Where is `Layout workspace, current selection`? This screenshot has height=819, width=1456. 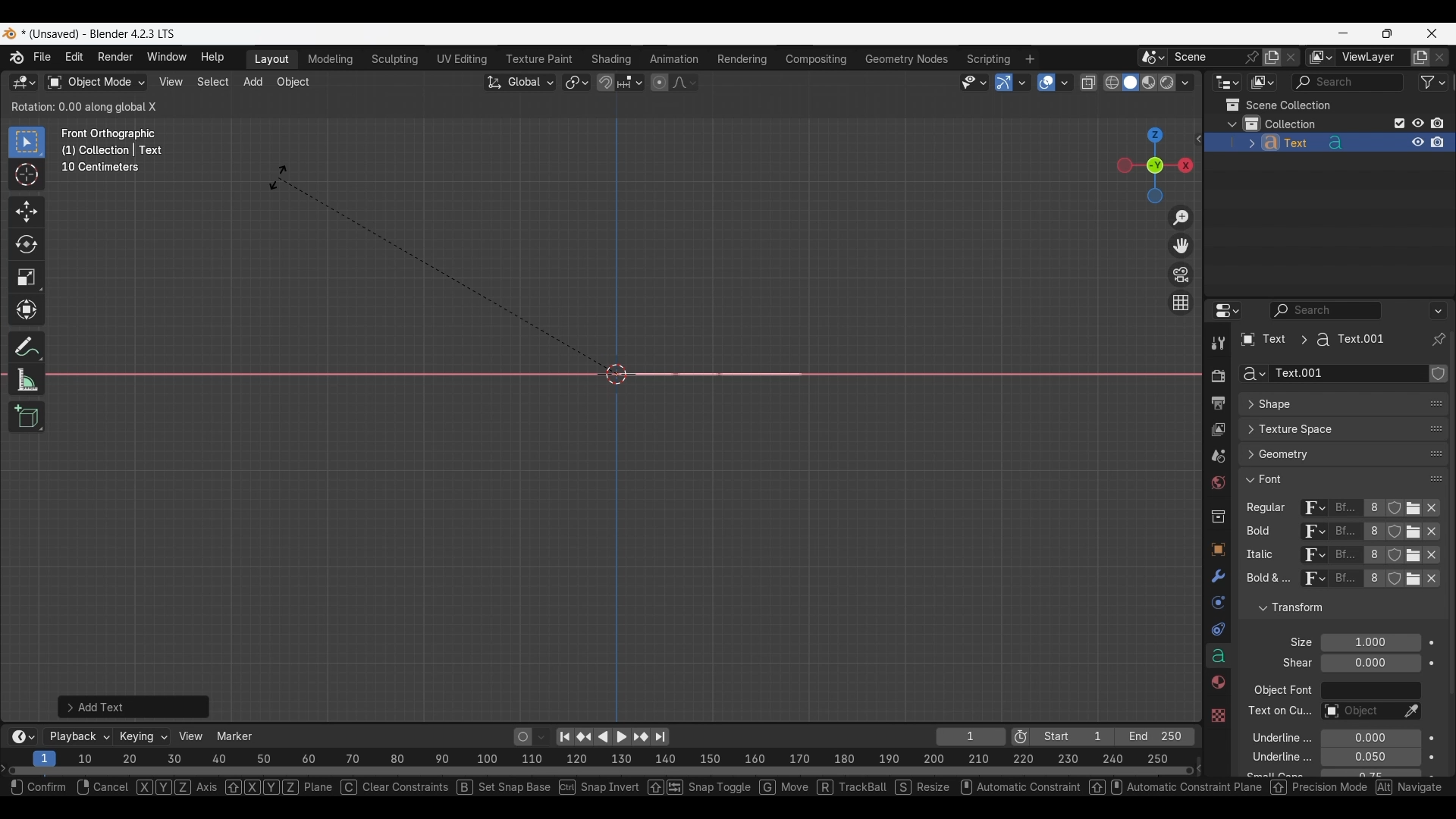
Layout workspace, current selection is located at coordinates (271, 60).